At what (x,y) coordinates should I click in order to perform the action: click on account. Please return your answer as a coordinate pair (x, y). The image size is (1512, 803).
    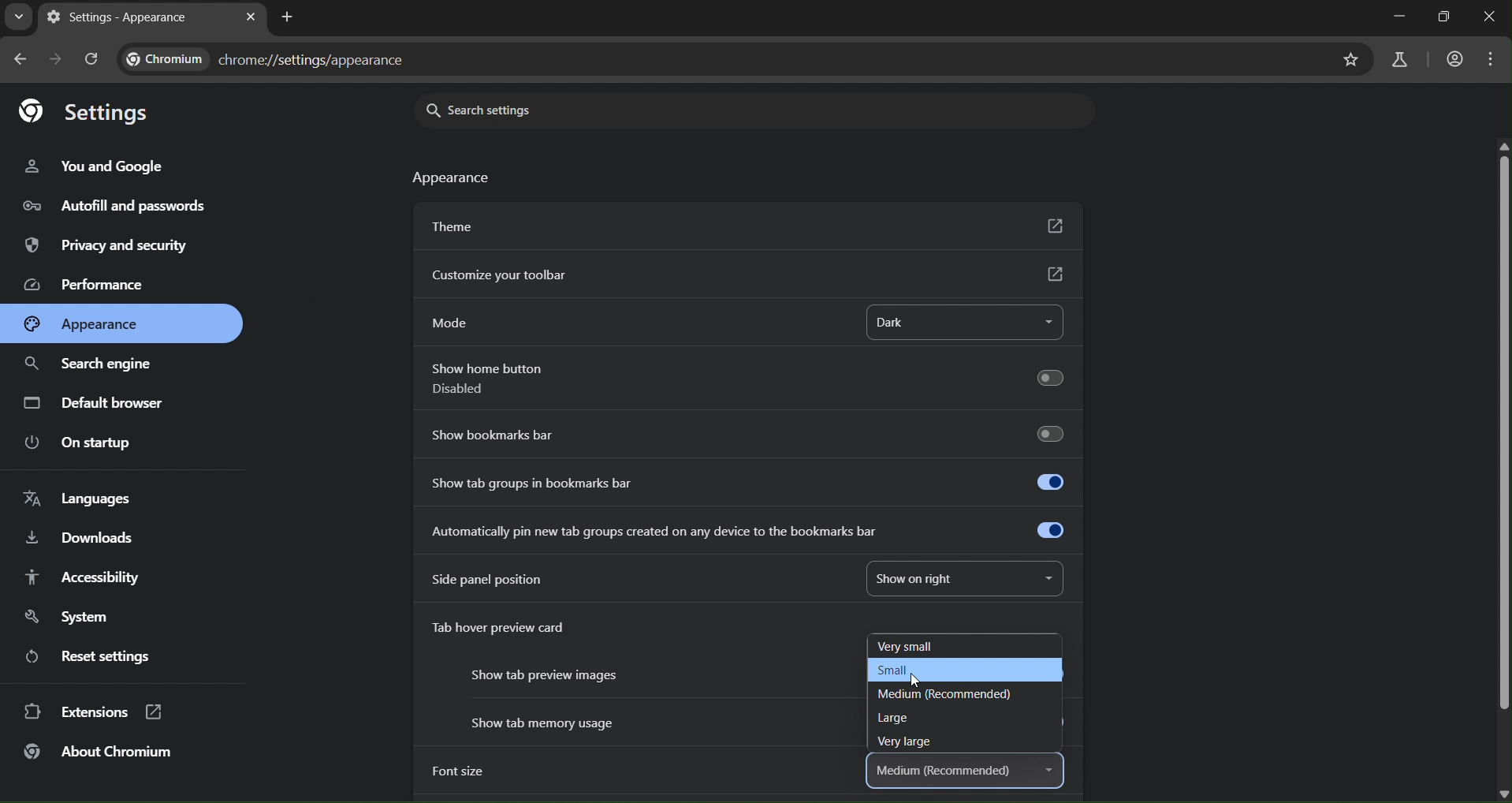
    Looking at the image, I should click on (1454, 60).